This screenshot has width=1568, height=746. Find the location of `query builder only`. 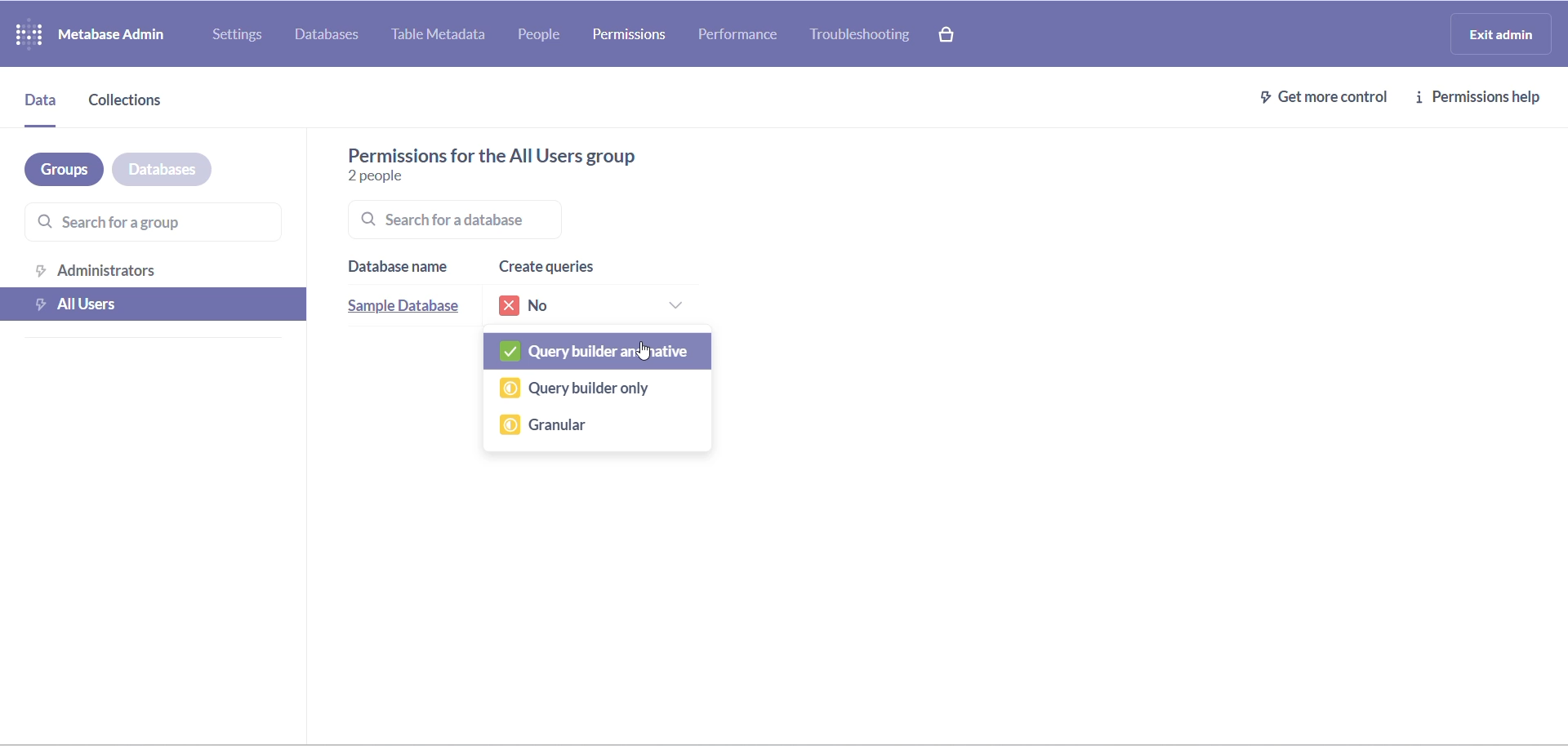

query builder only is located at coordinates (595, 390).